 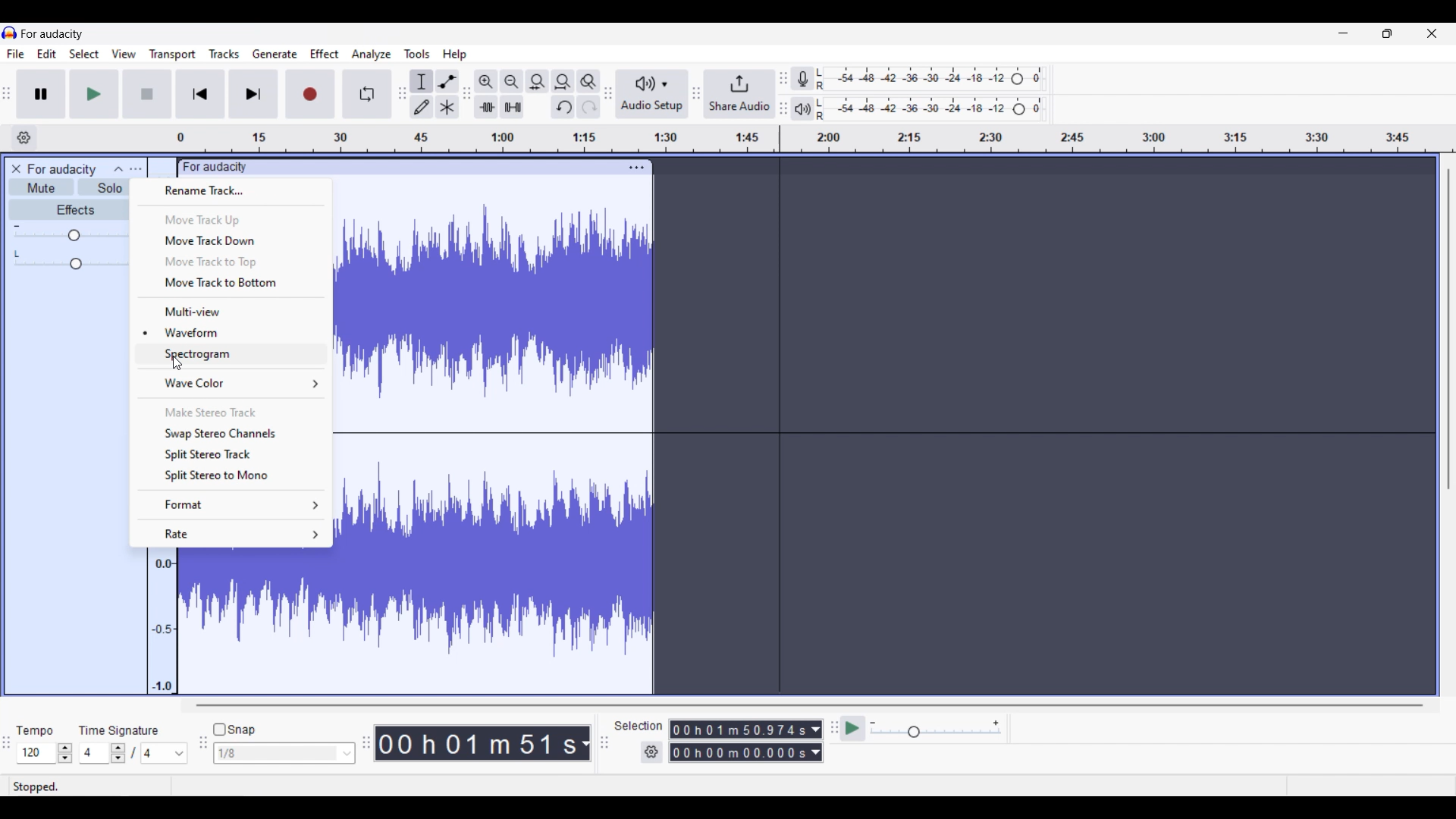 I want to click on Timeline settings, so click(x=24, y=138).